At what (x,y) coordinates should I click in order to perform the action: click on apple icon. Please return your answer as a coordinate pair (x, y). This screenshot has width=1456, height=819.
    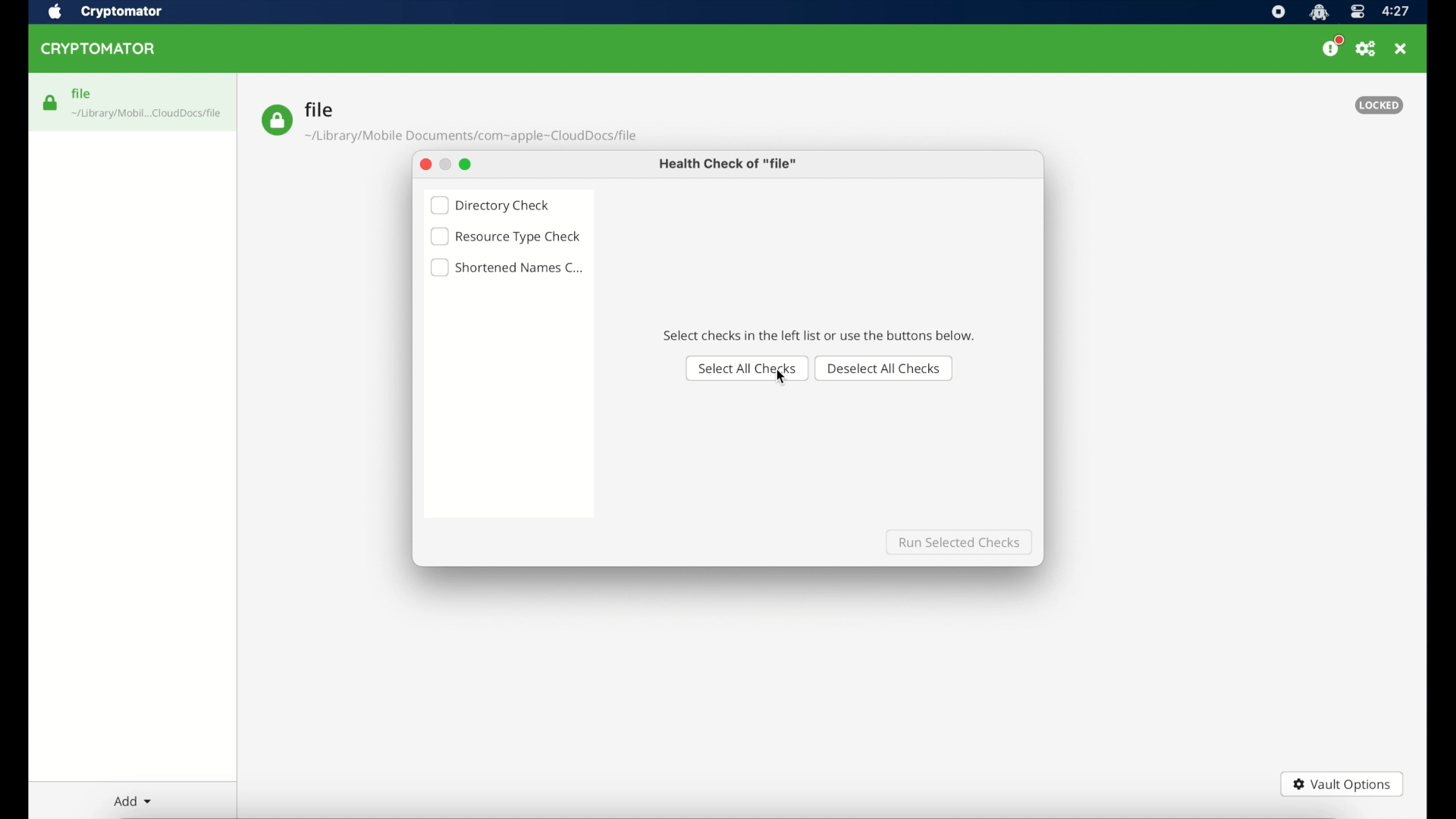
    Looking at the image, I should click on (55, 12).